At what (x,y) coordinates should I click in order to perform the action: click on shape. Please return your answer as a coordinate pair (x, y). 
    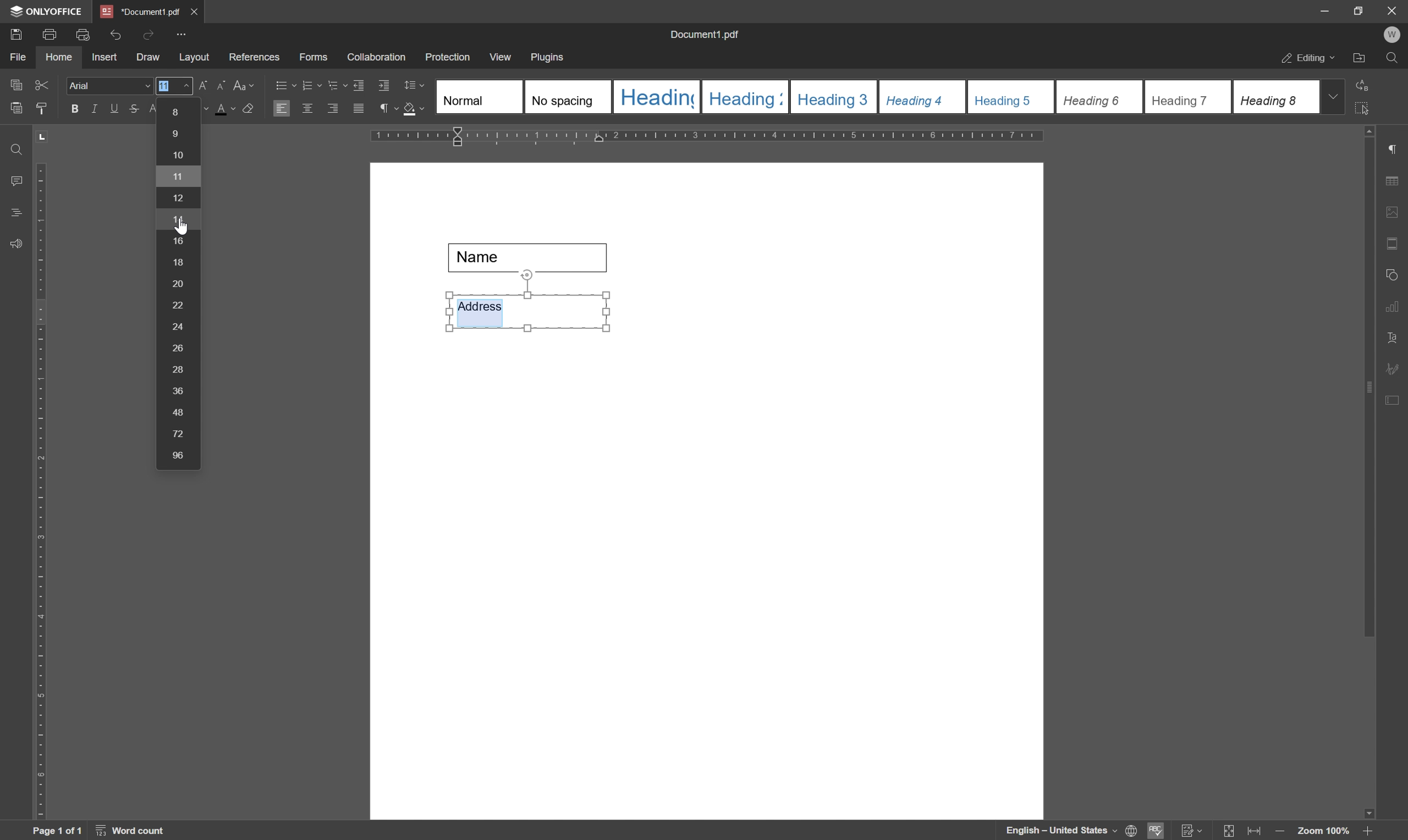
    Looking at the image, I should click on (1395, 272).